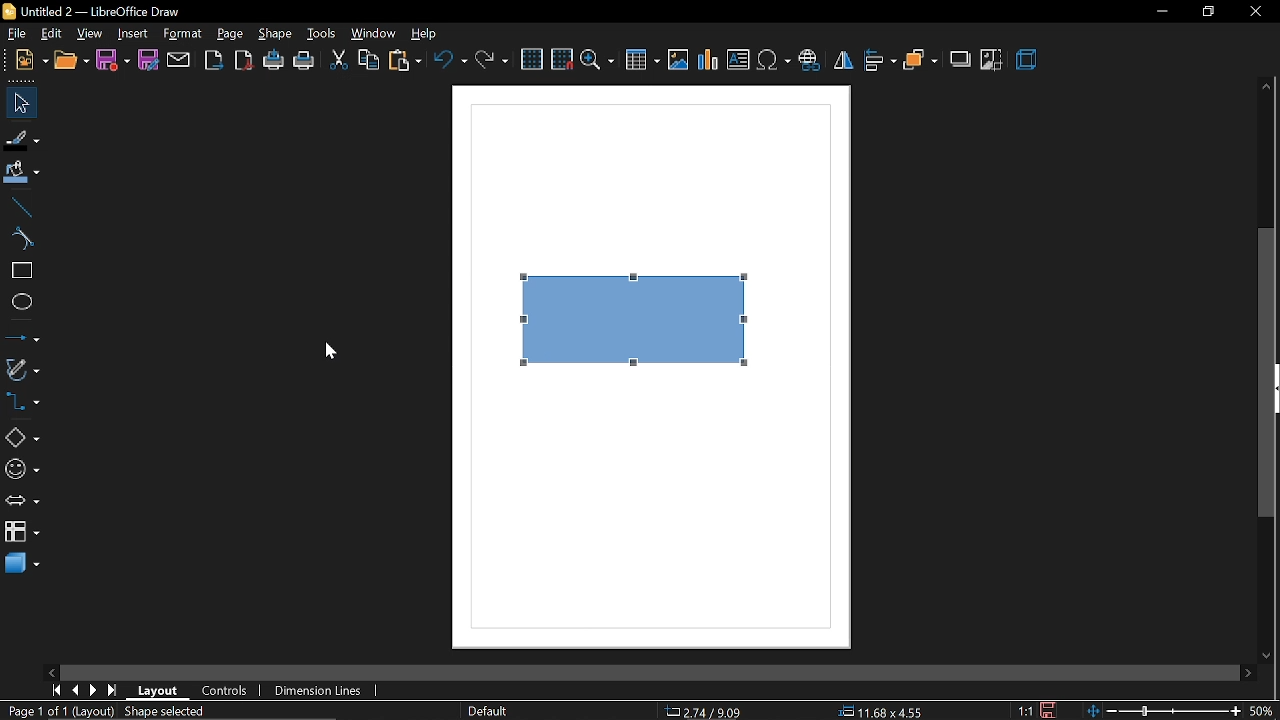 The image size is (1280, 720). What do you see at coordinates (375, 33) in the screenshot?
I see `window` at bounding box center [375, 33].